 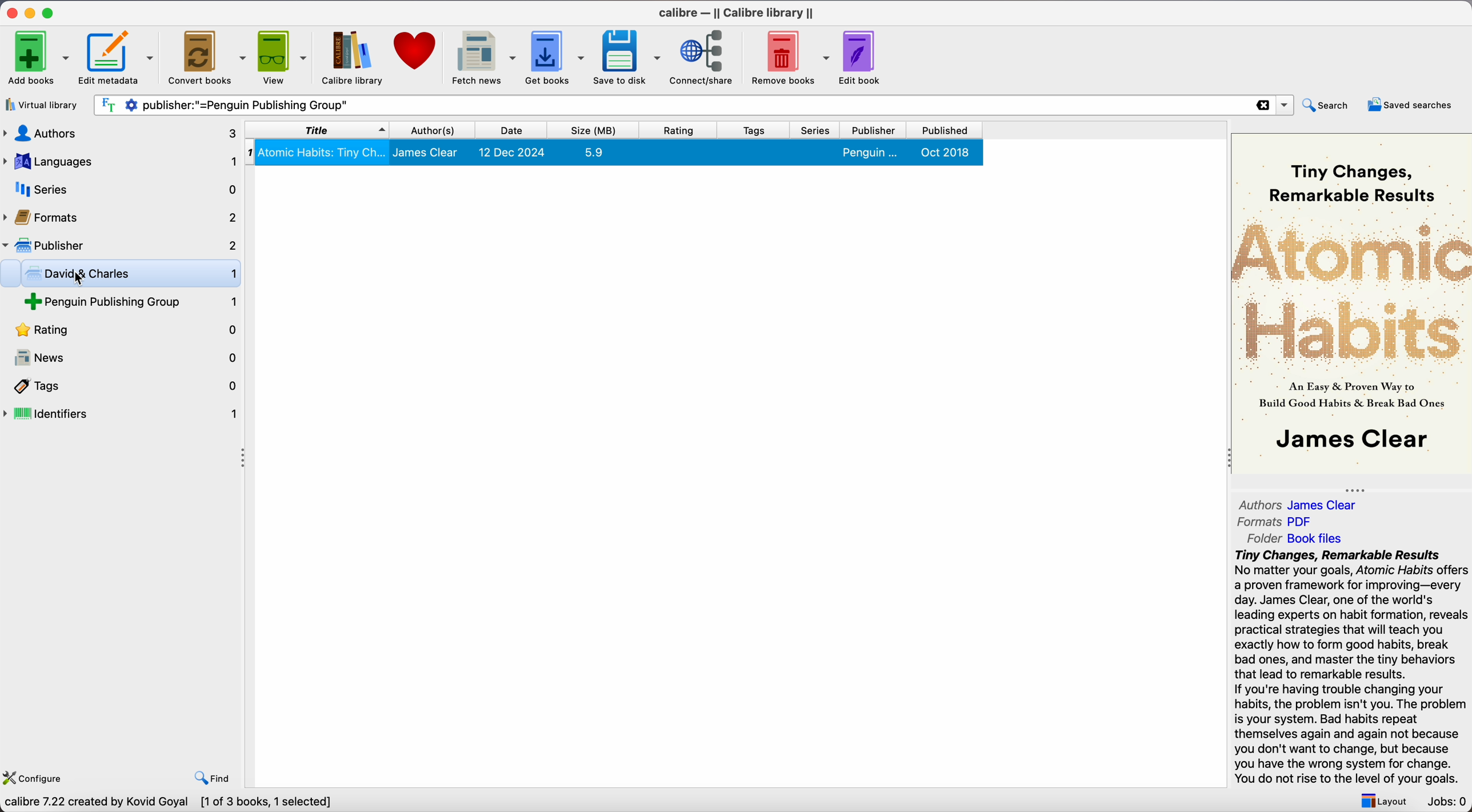 What do you see at coordinates (283, 57) in the screenshot?
I see `view` at bounding box center [283, 57].